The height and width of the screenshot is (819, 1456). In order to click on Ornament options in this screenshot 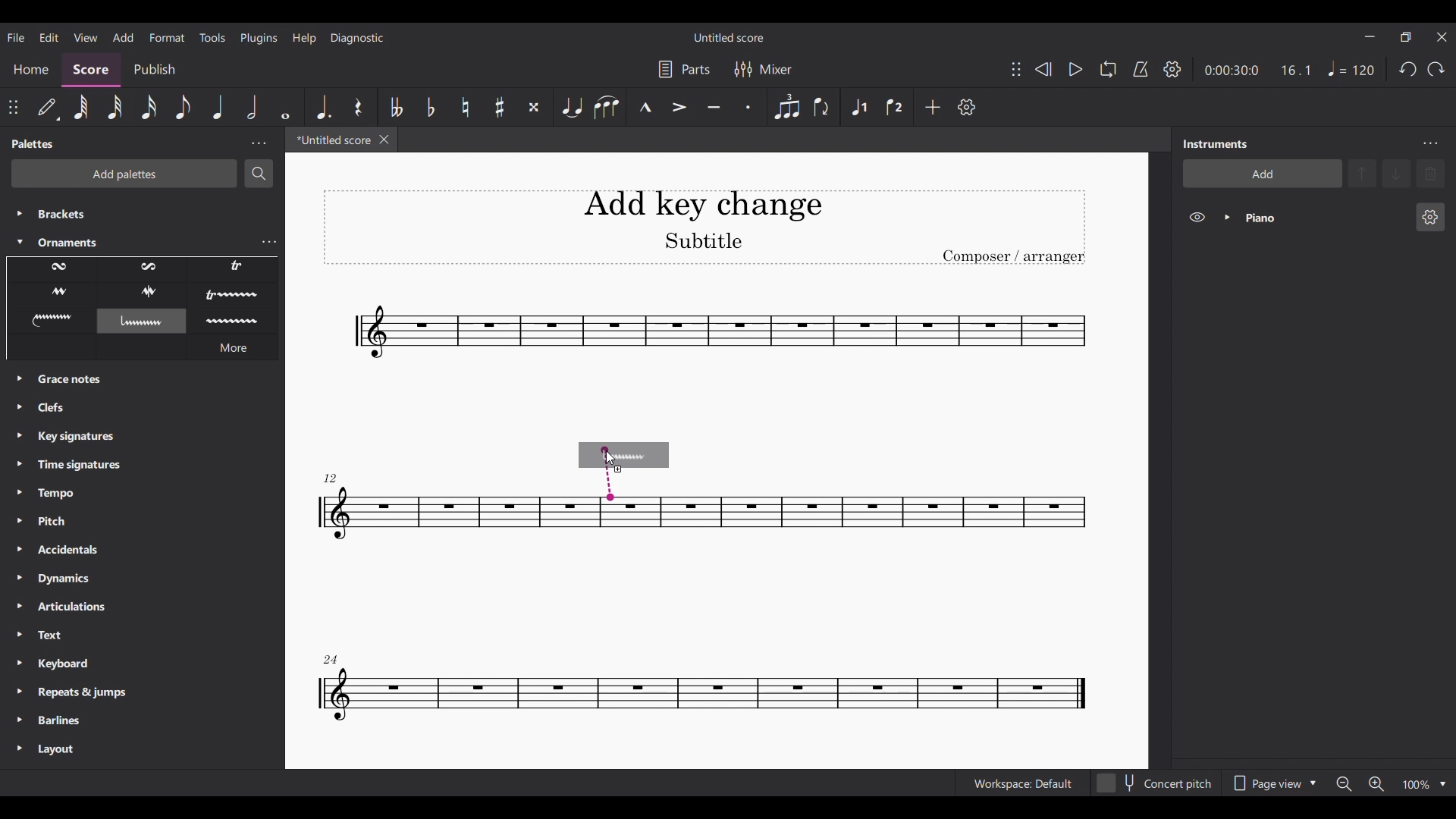, I will do `click(142, 296)`.